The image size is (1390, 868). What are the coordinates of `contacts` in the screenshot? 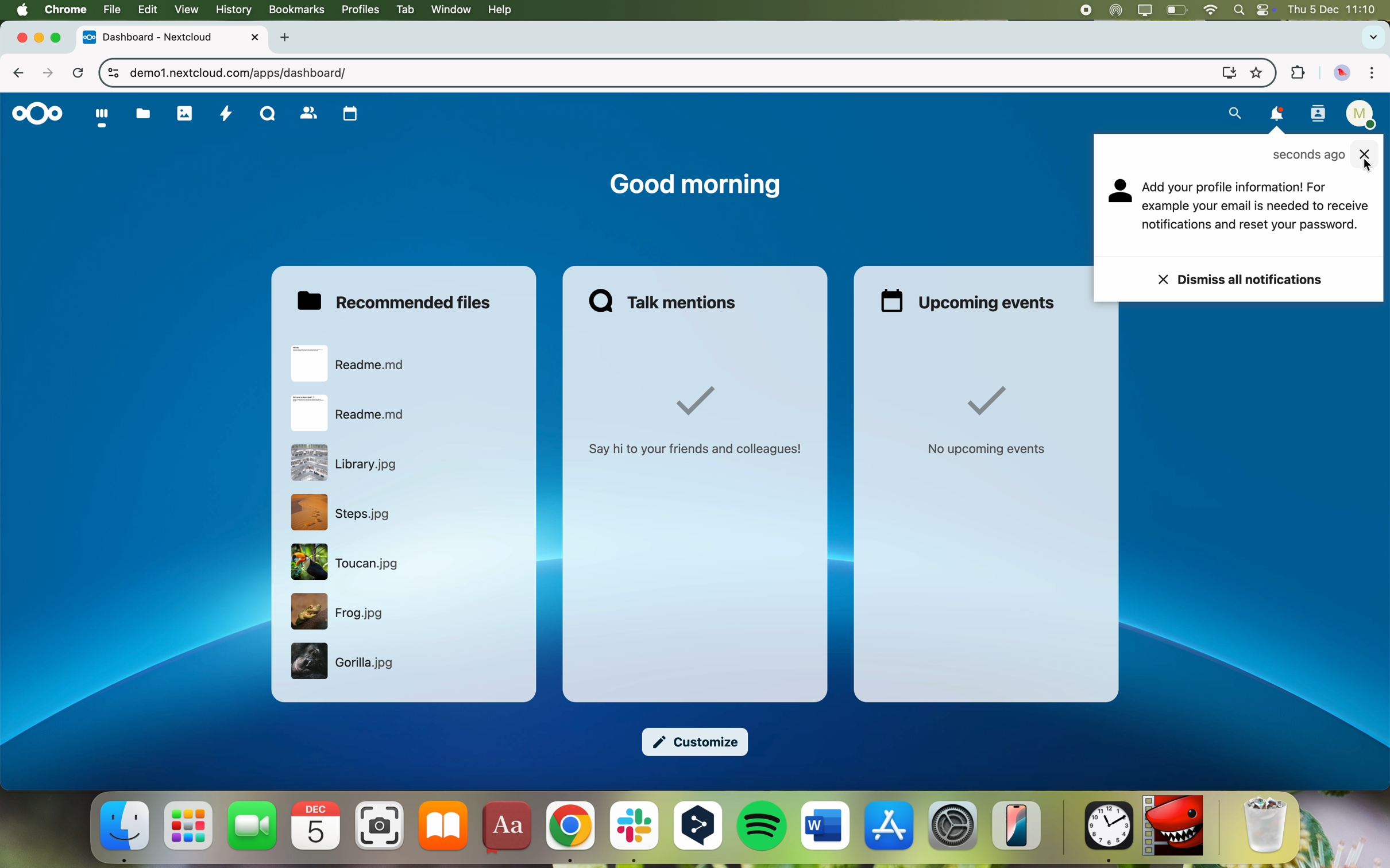 It's located at (1318, 115).